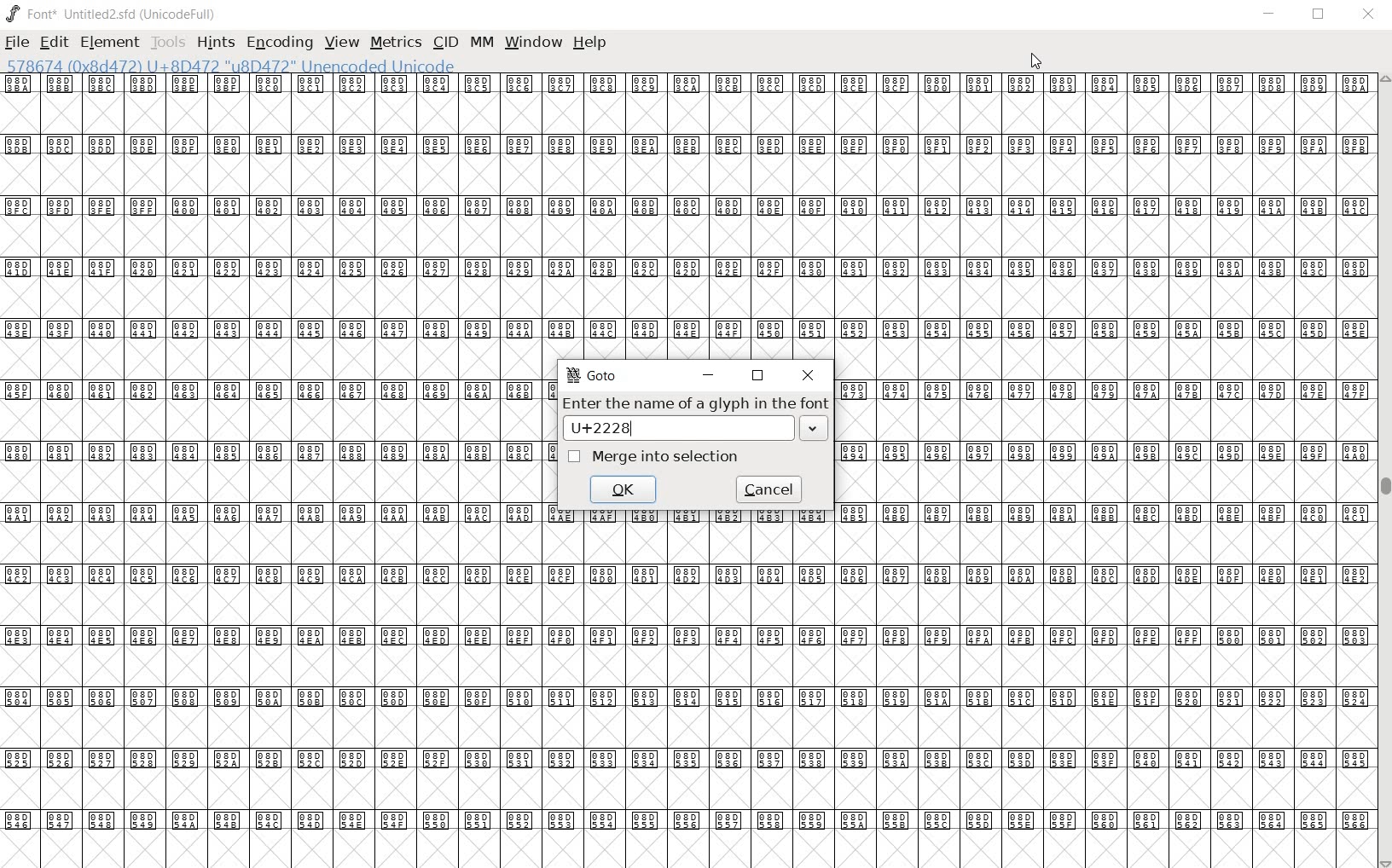 This screenshot has width=1392, height=868. What do you see at coordinates (1319, 17) in the screenshot?
I see `restore` at bounding box center [1319, 17].